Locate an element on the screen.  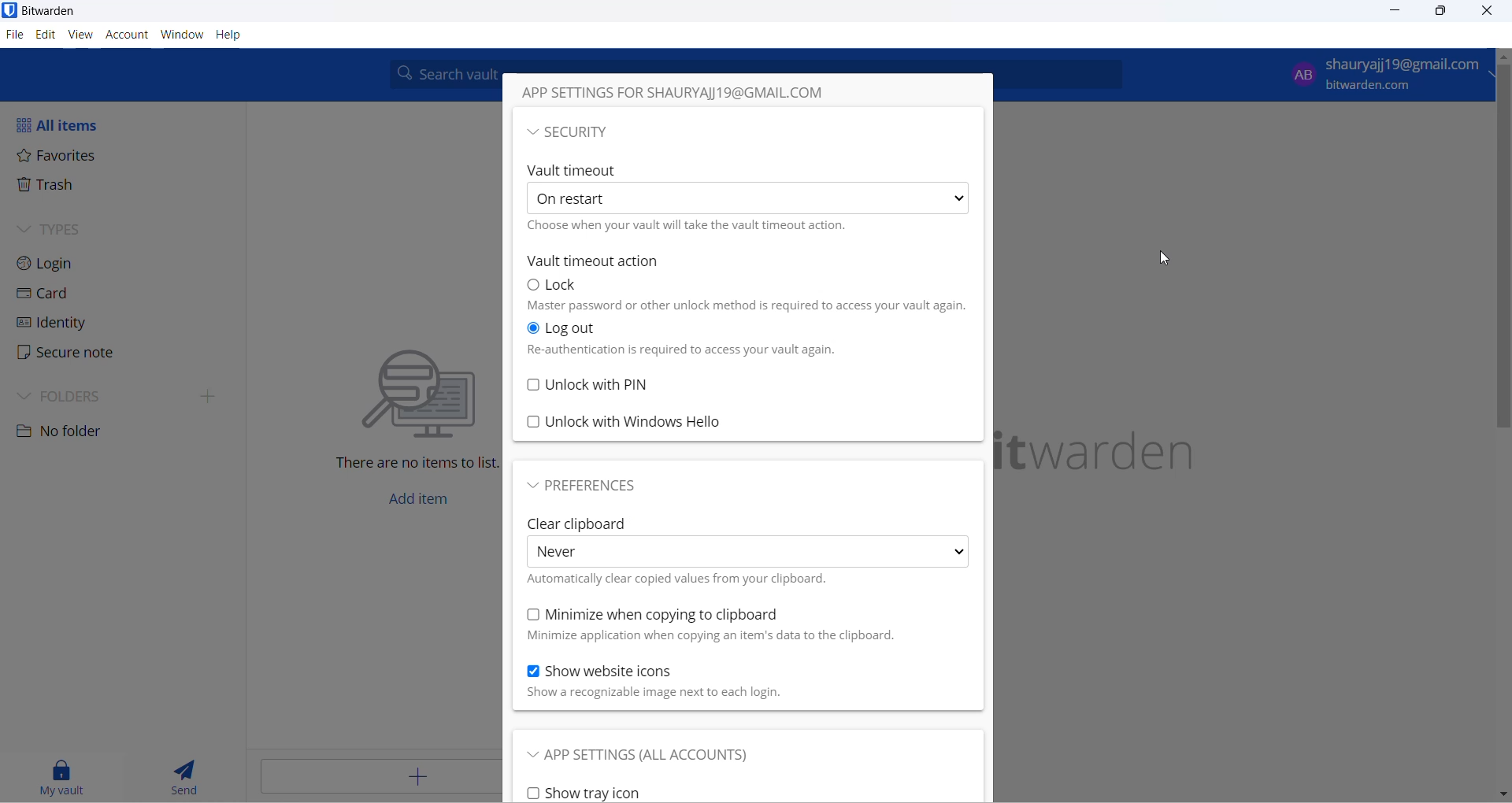
login email is located at coordinates (1379, 75).